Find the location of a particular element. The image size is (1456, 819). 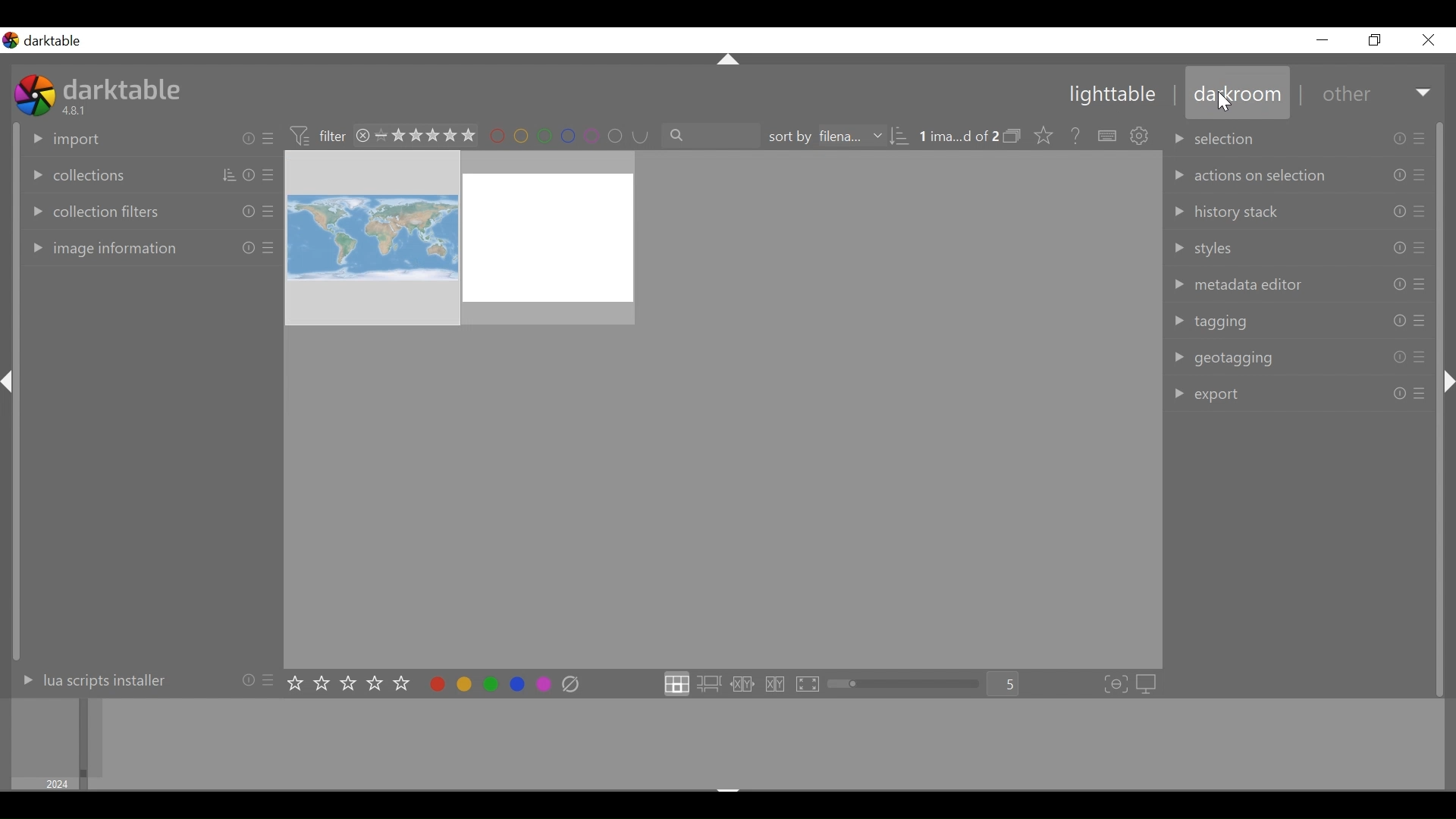

Zoom factor is located at coordinates (1007, 685).